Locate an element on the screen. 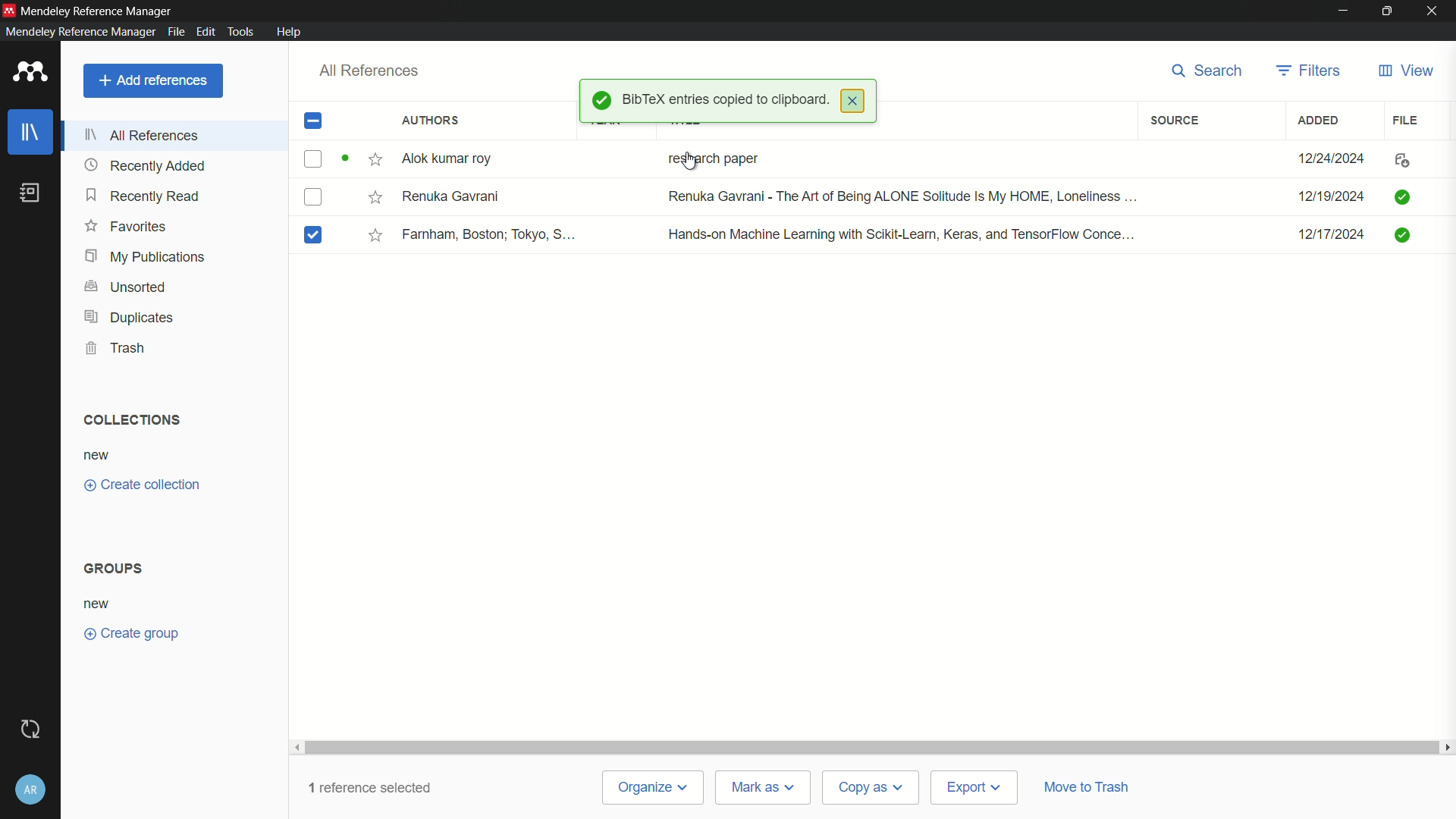  account and help is located at coordinates (31, 786).